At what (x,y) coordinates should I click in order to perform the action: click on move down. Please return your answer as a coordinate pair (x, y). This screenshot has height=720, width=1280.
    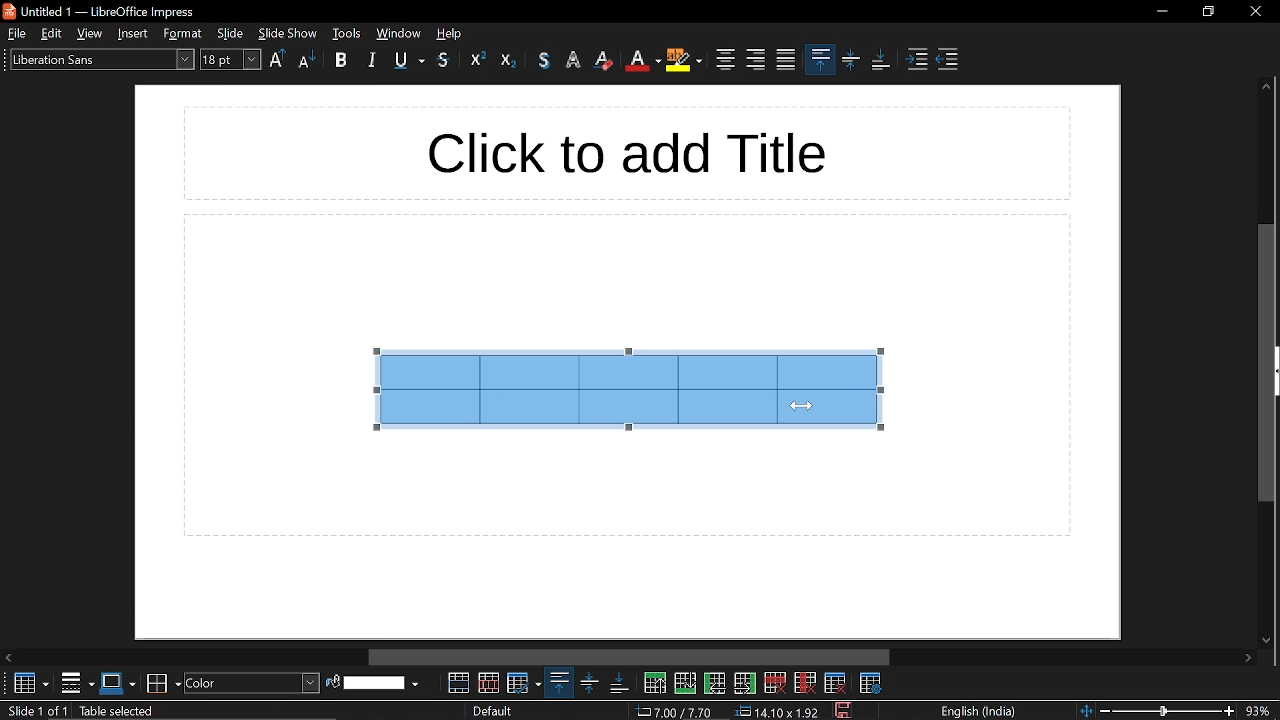
    Looking at the image, I should click on (1268, 638).